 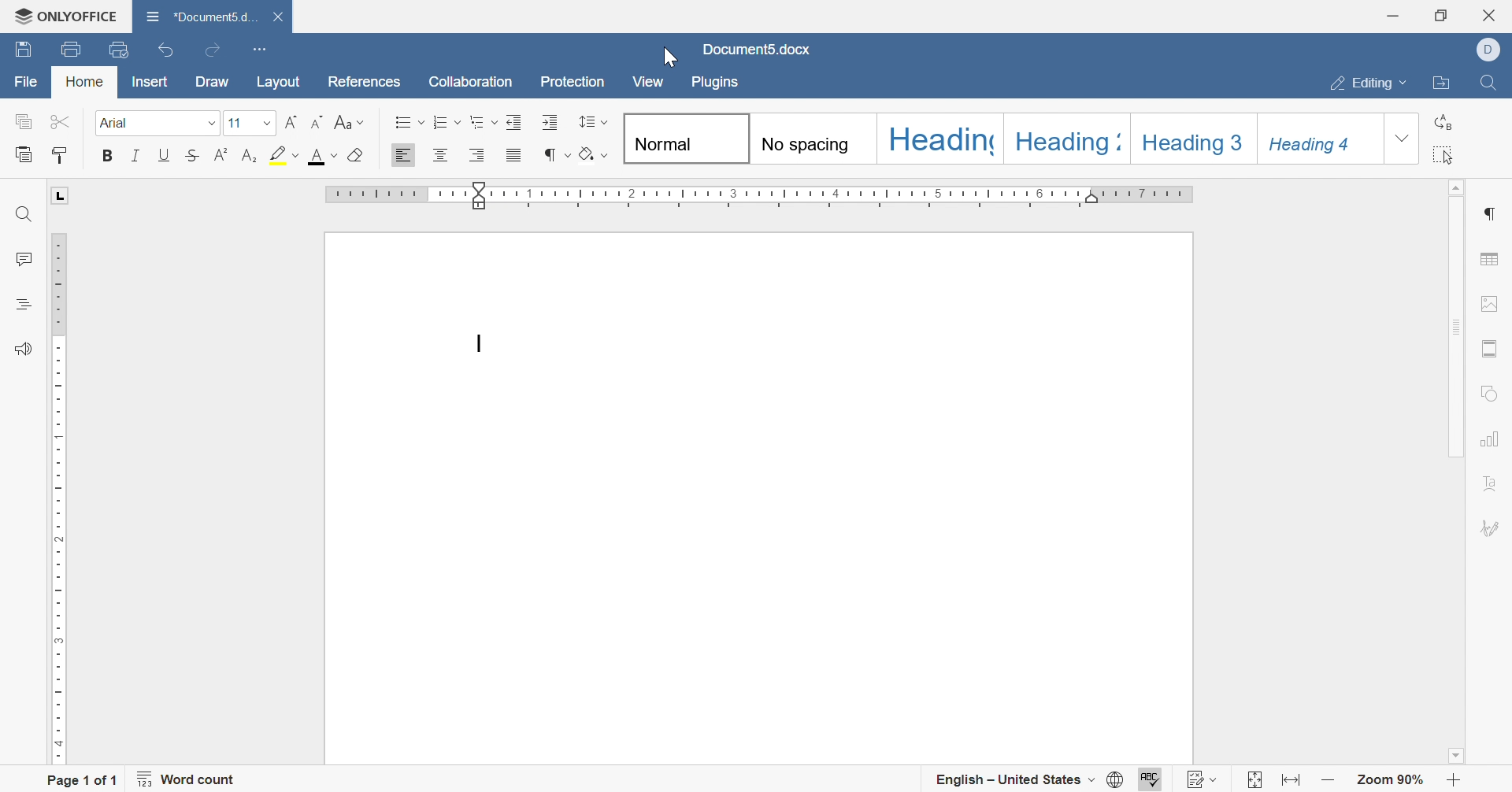 What do you see at coordinates (650, 82) in the screenshot?
I see `view` at bounding box center [650, 82].